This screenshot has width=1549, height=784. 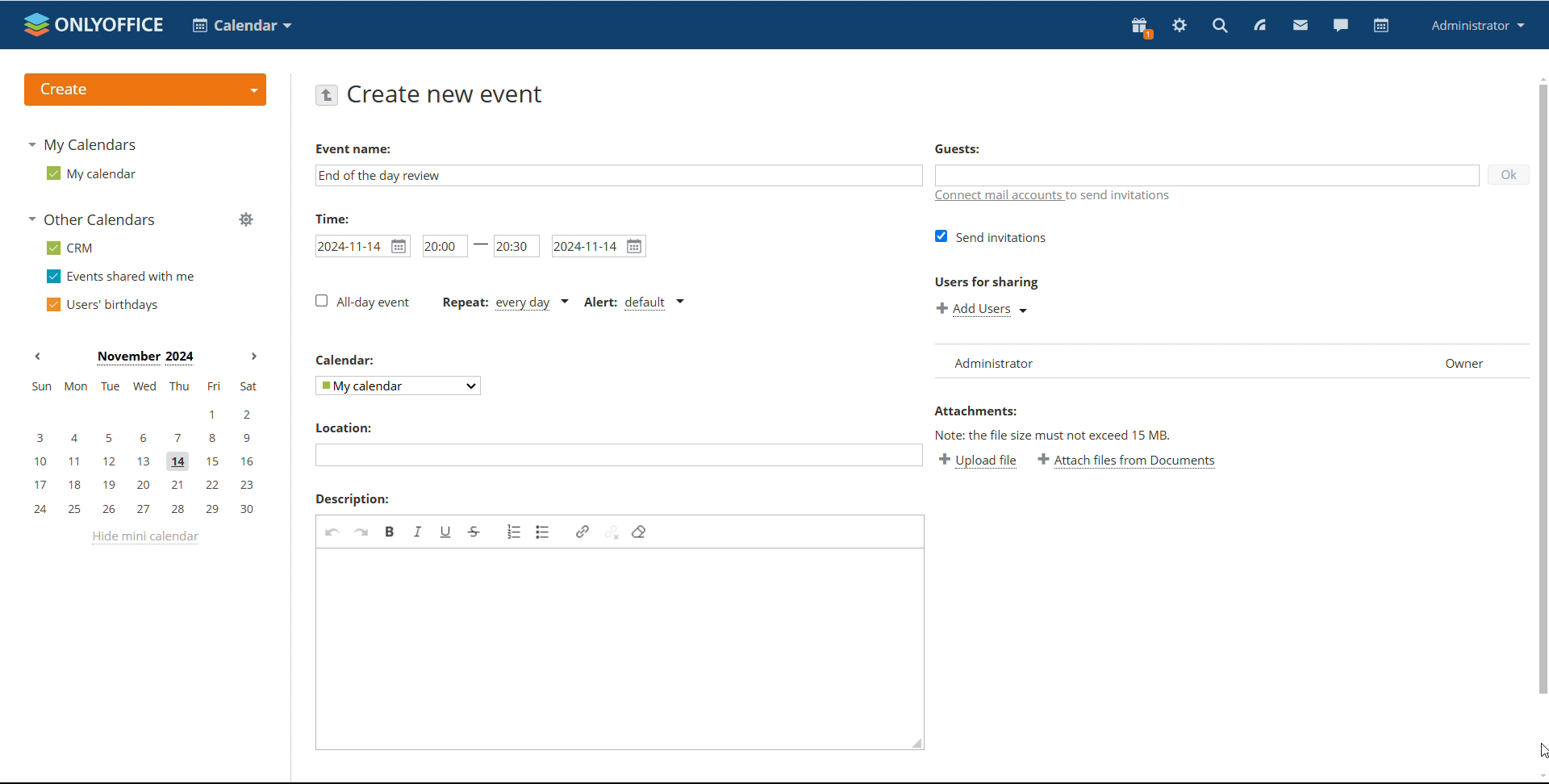 I want to click on hide mini calendar, so click(x=144, y=537).